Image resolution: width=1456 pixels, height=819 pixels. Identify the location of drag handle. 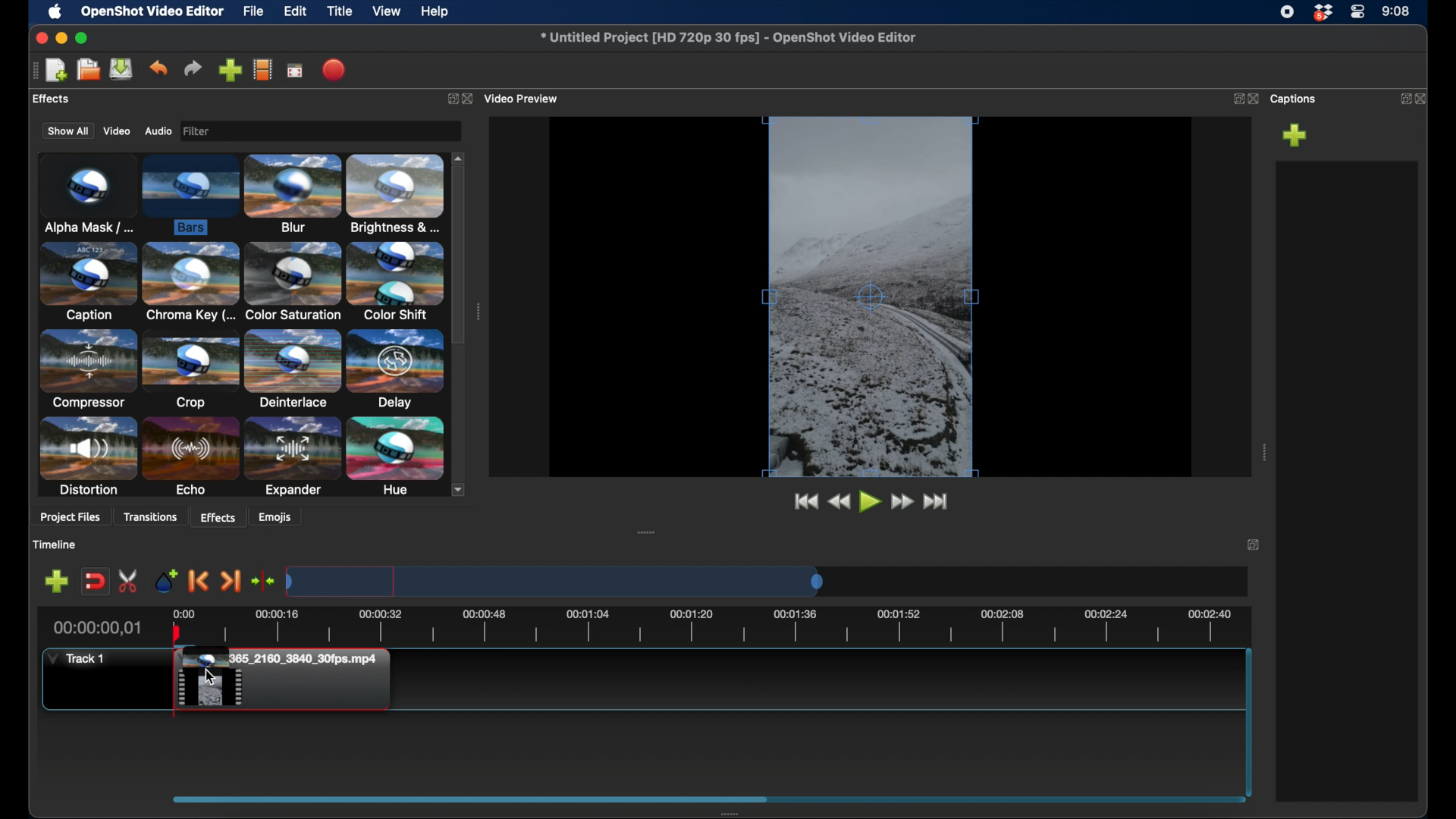
(646, 531).